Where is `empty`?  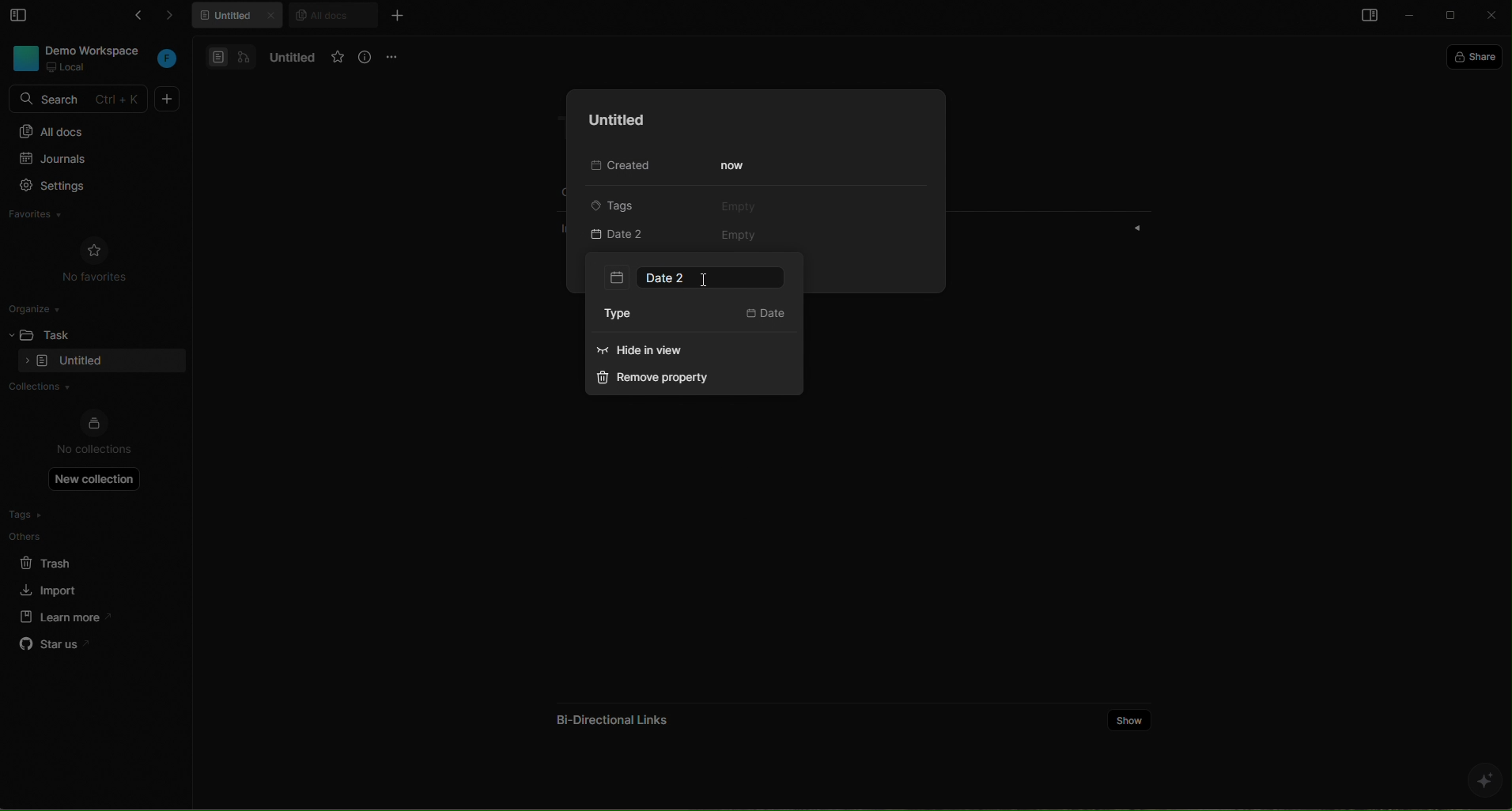
empty is located at coordinates (738, 206).